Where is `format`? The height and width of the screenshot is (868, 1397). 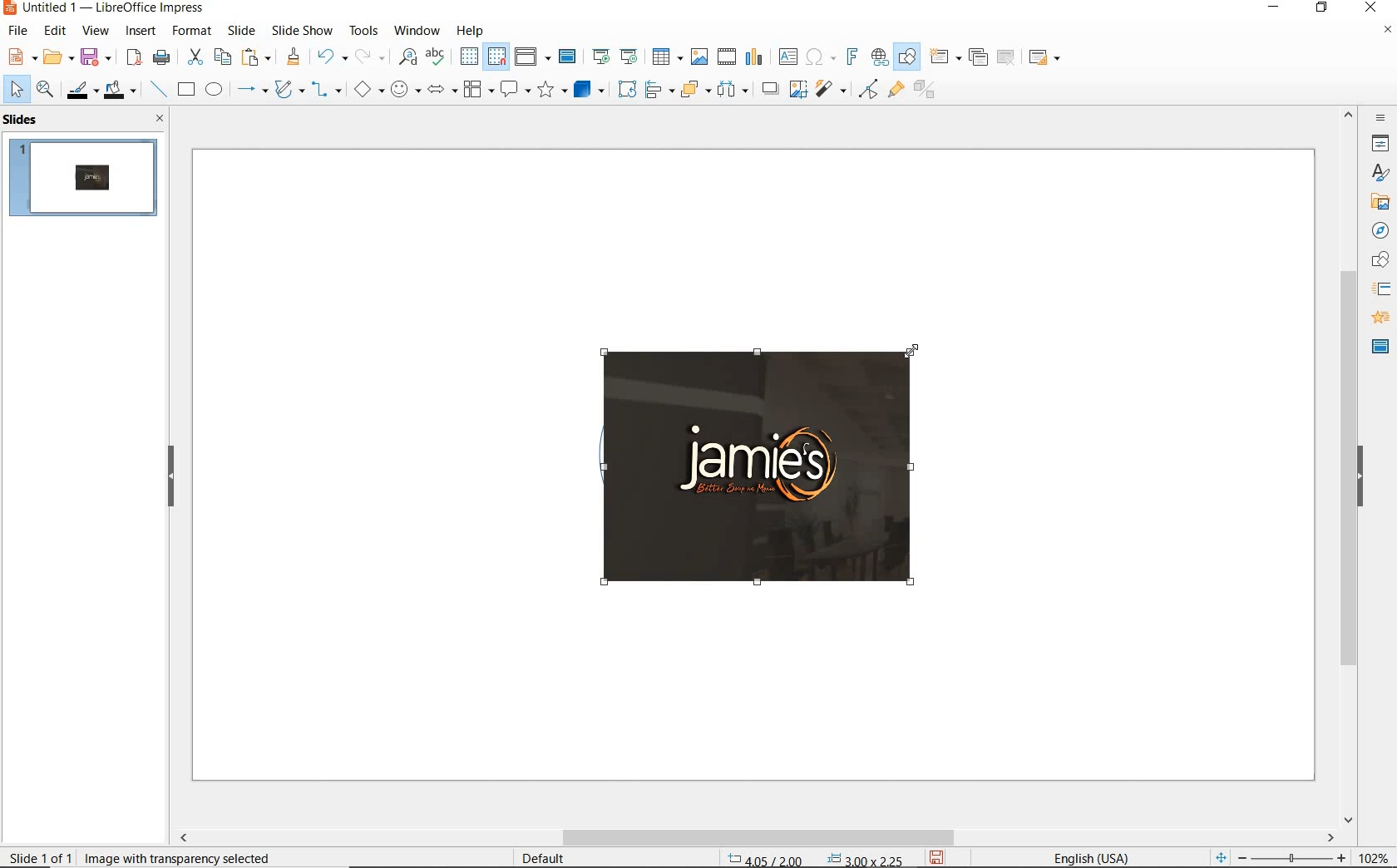
format is located at coordinates (190, 30).